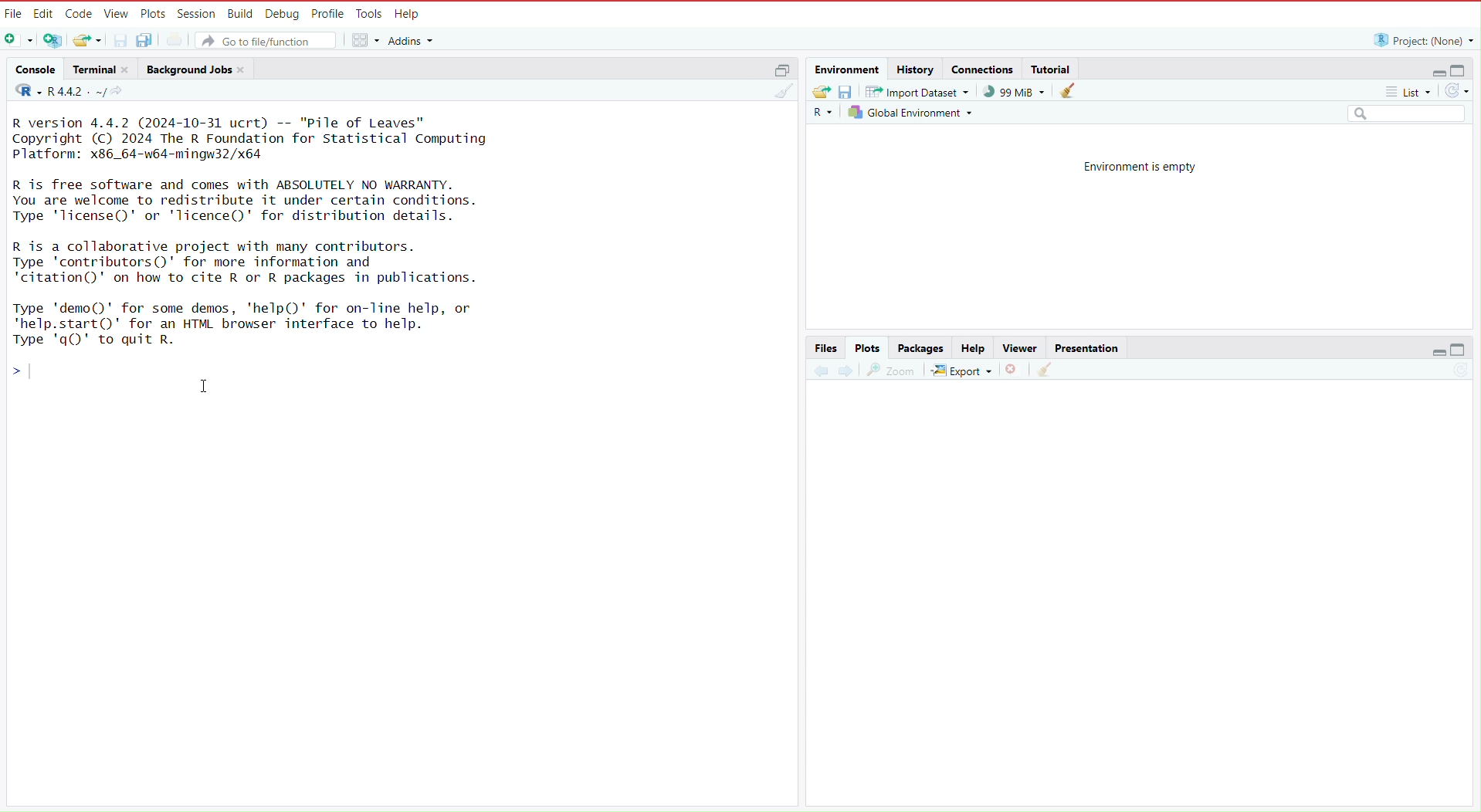  What do you see at coordinates (117, 12) in the screenshot?
I see `view` at bounding box center [117, 12].